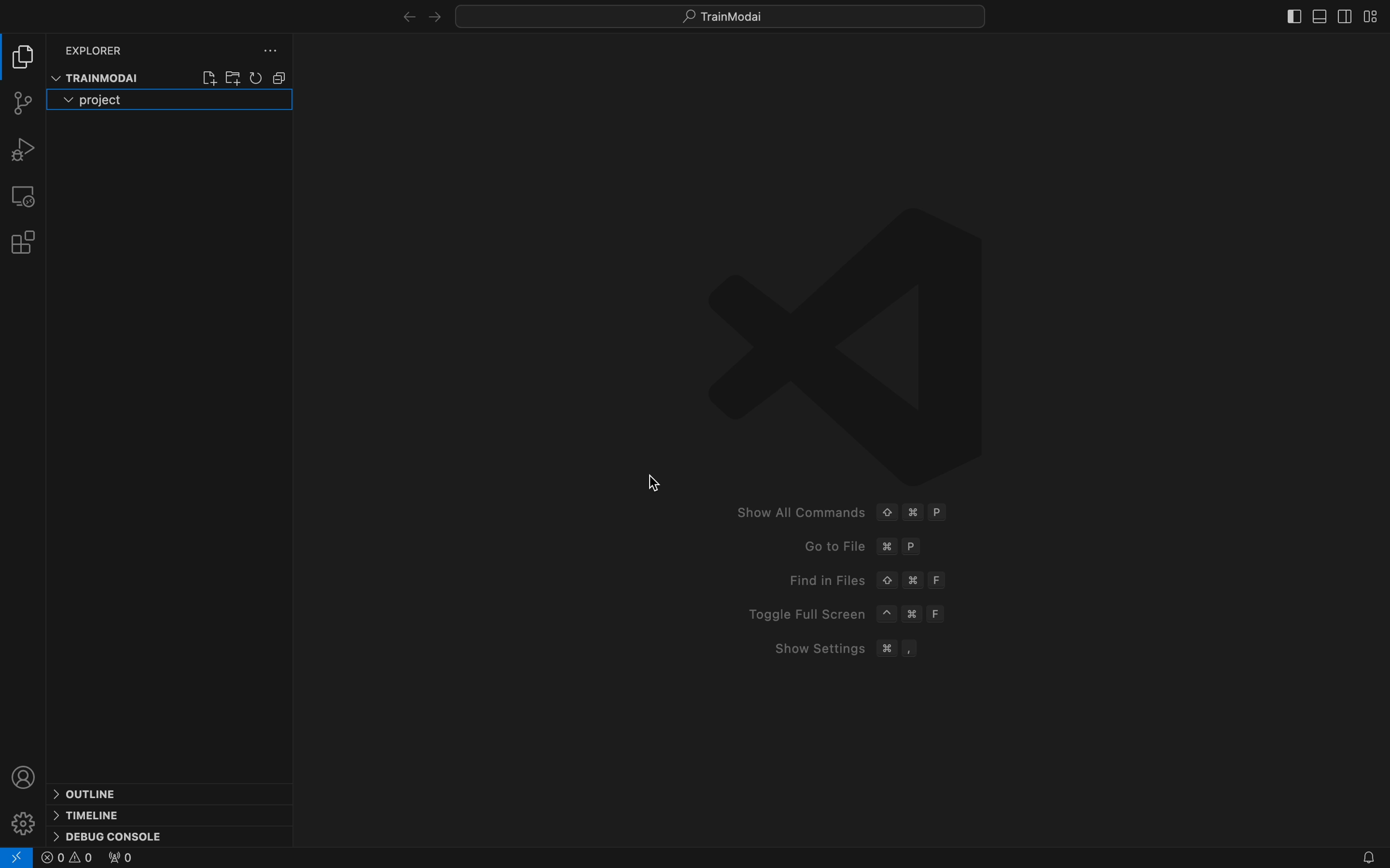 The height and width of the screenshot is (868, 1390). I want to click on SHow All, so click(858, 514).